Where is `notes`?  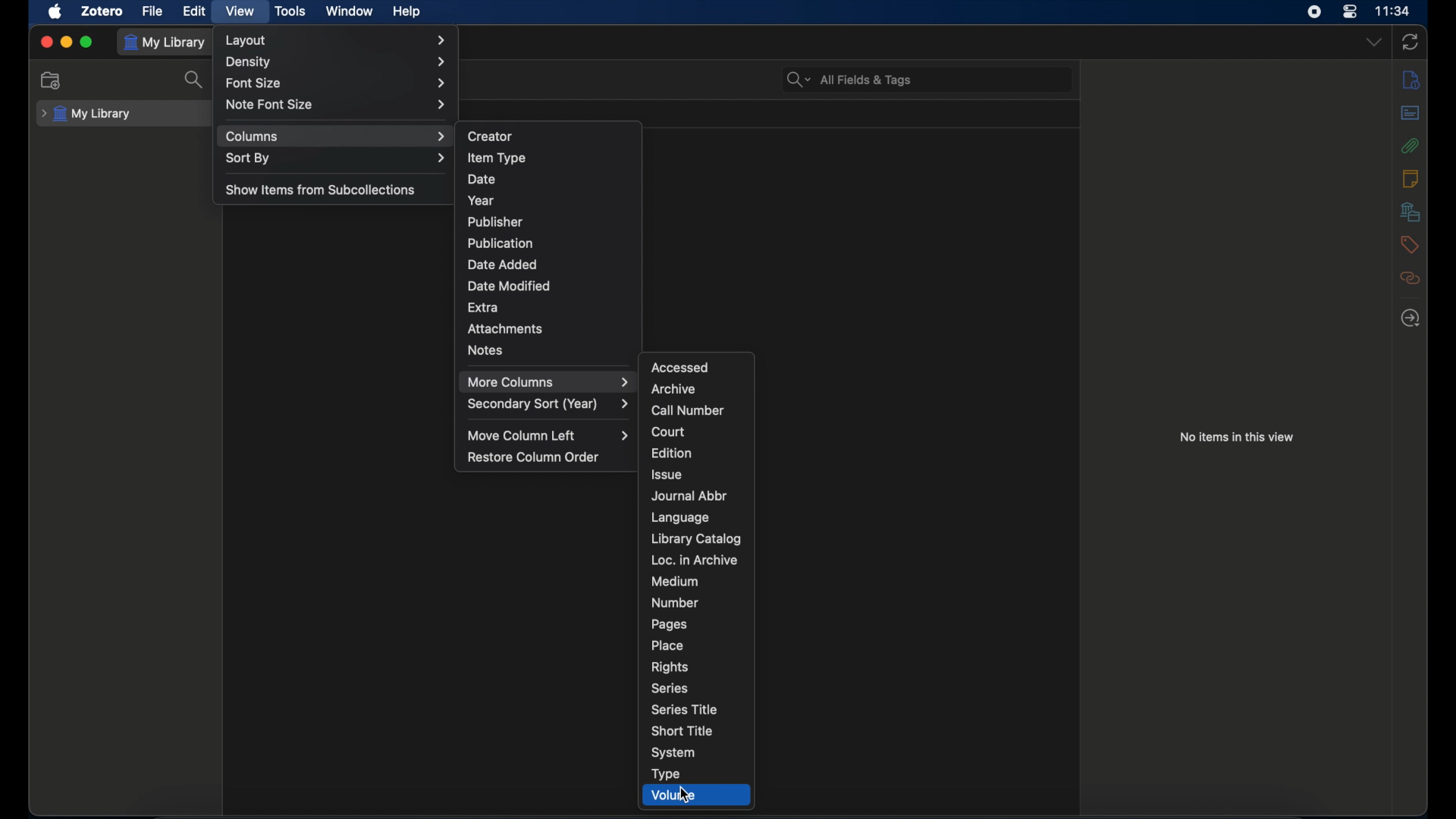
notes is located at coordinates (1409, 178).